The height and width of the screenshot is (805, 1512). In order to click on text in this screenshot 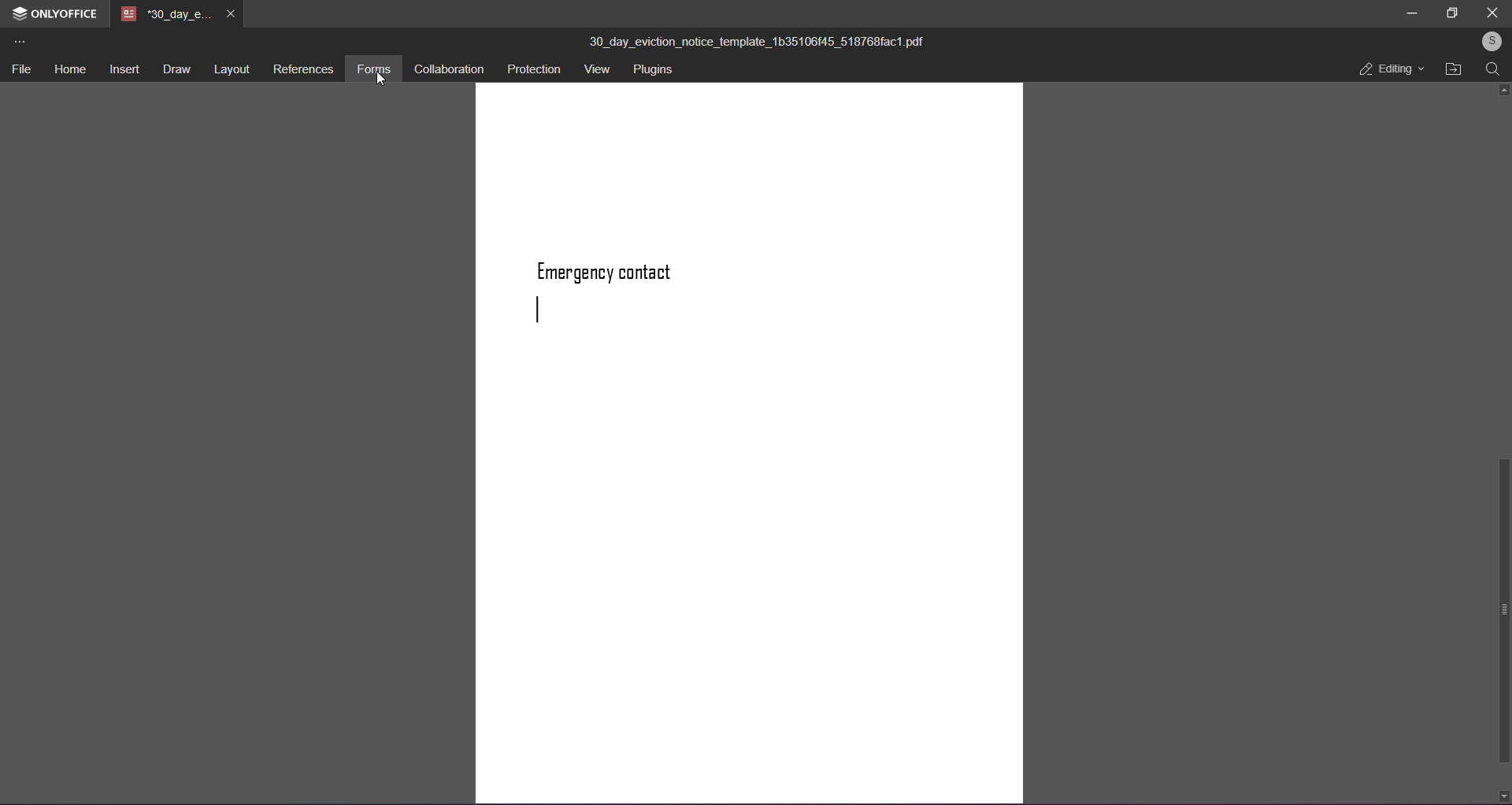, I will do `click(619, 270)`.